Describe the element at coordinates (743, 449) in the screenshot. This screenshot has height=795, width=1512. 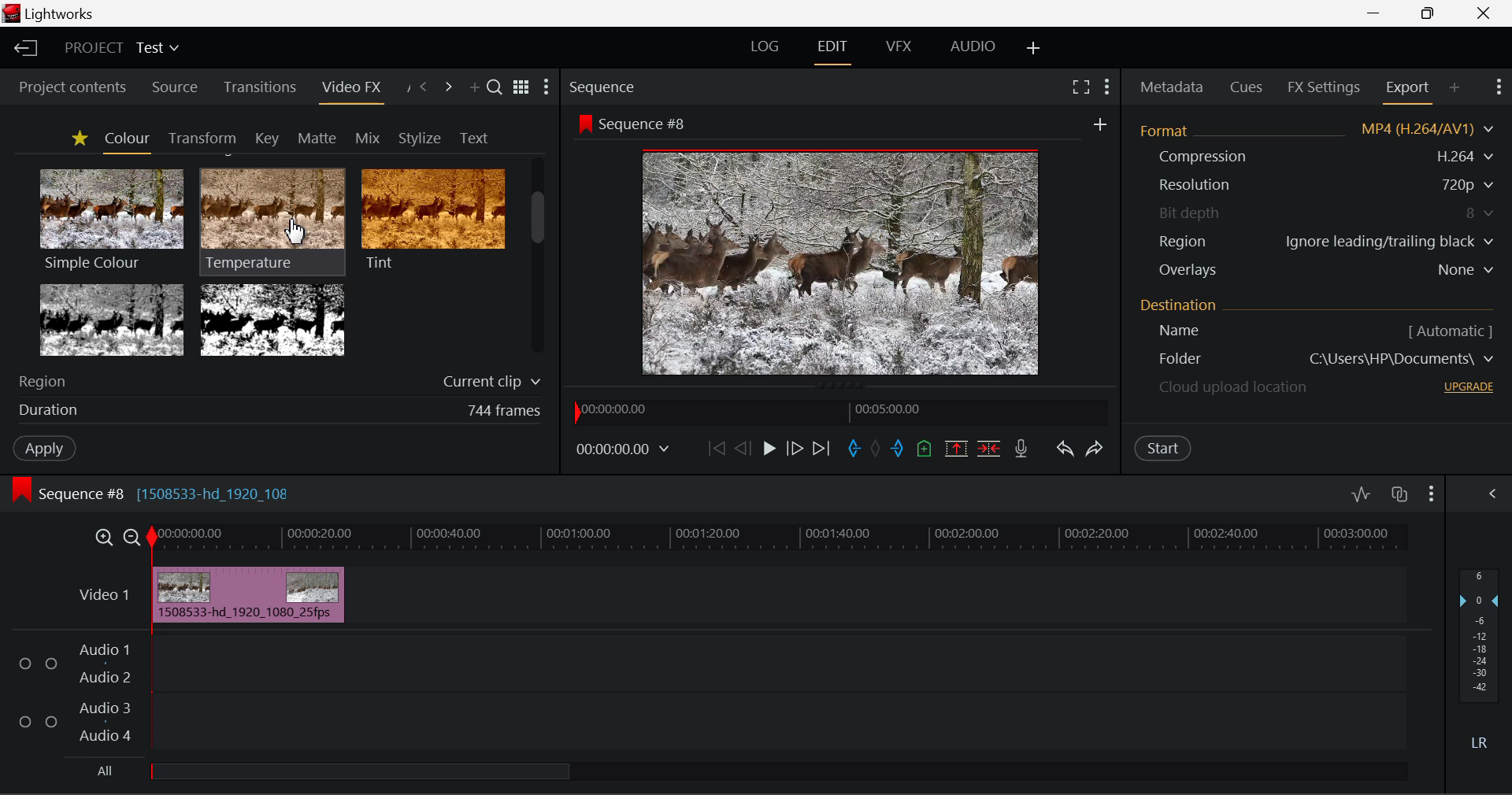
I see `Go Back` at that location.